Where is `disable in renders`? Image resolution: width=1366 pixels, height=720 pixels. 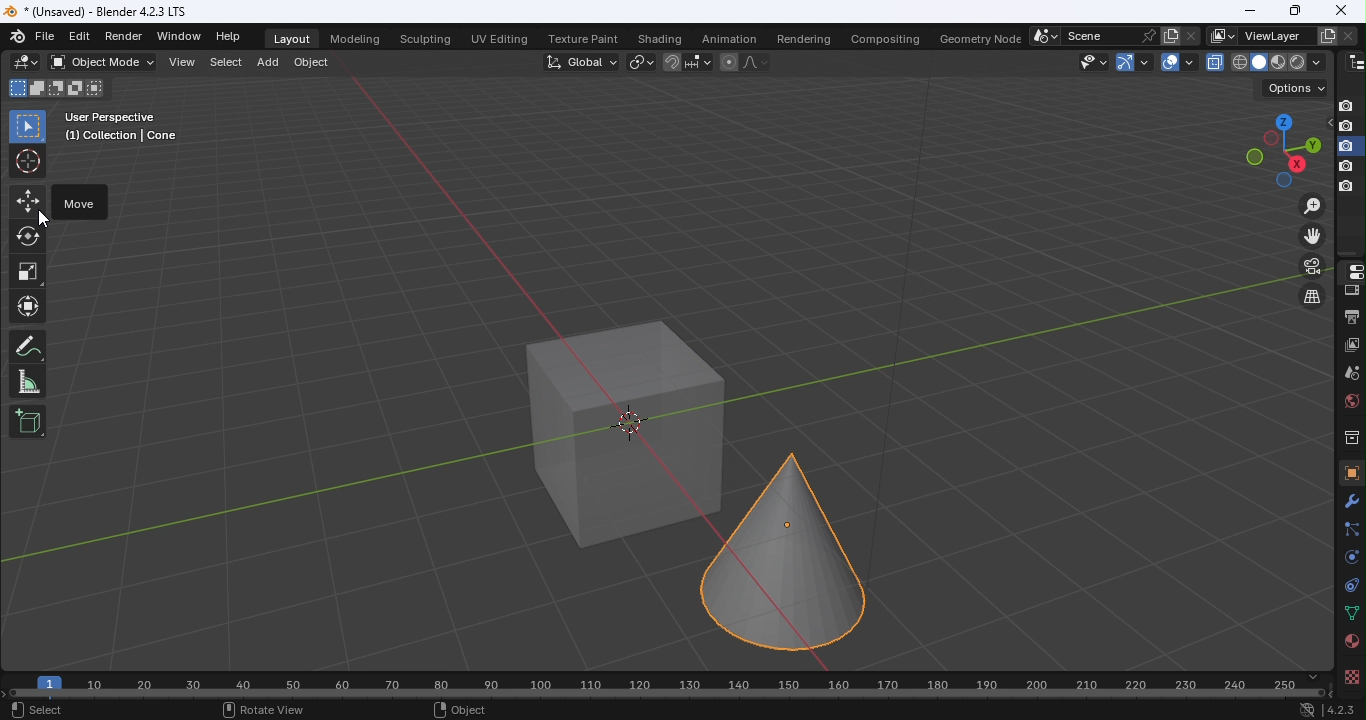
disable in renders is located at coordinates (1346, 146).